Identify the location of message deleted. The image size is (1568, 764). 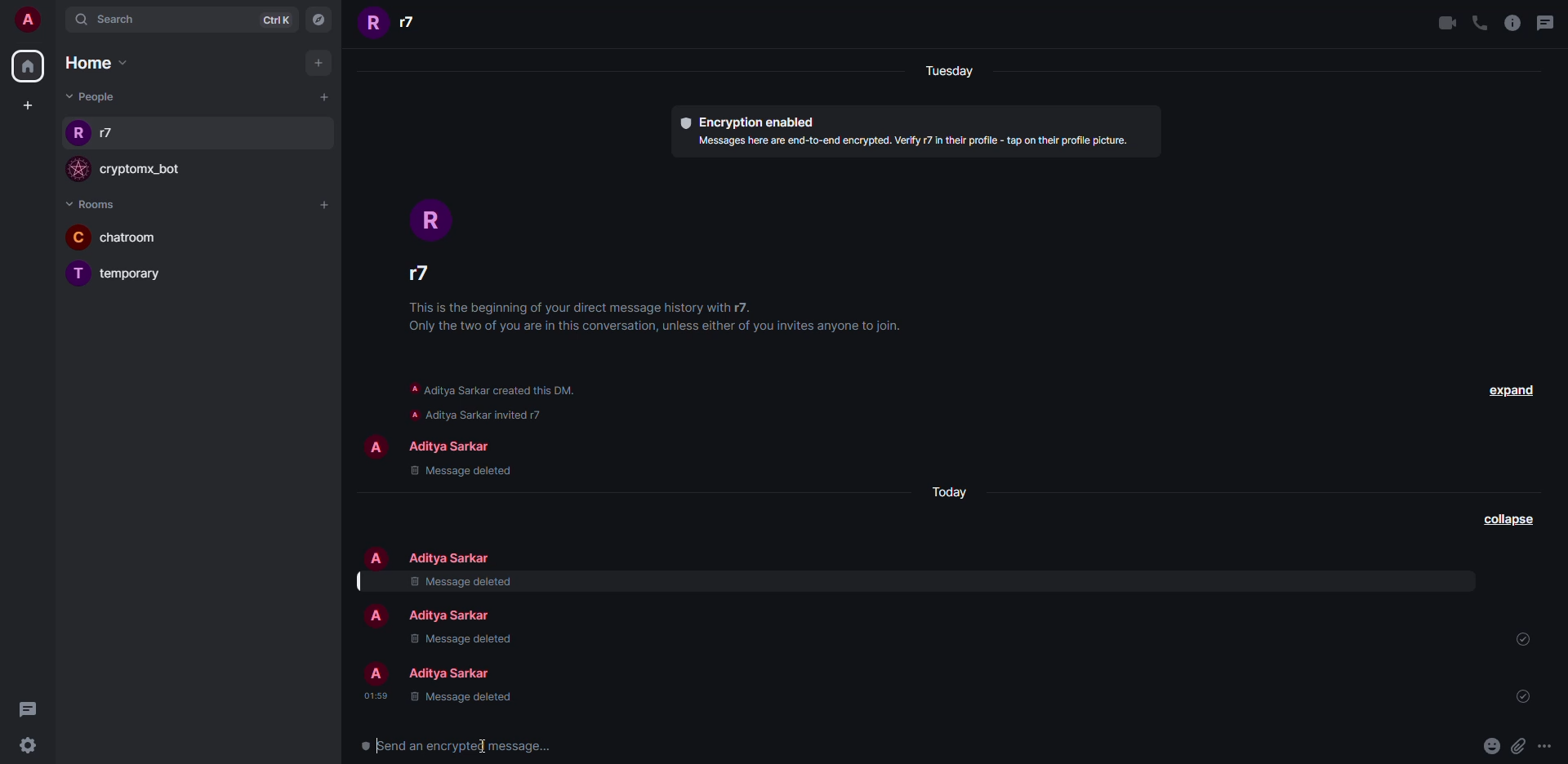
(460, 582).